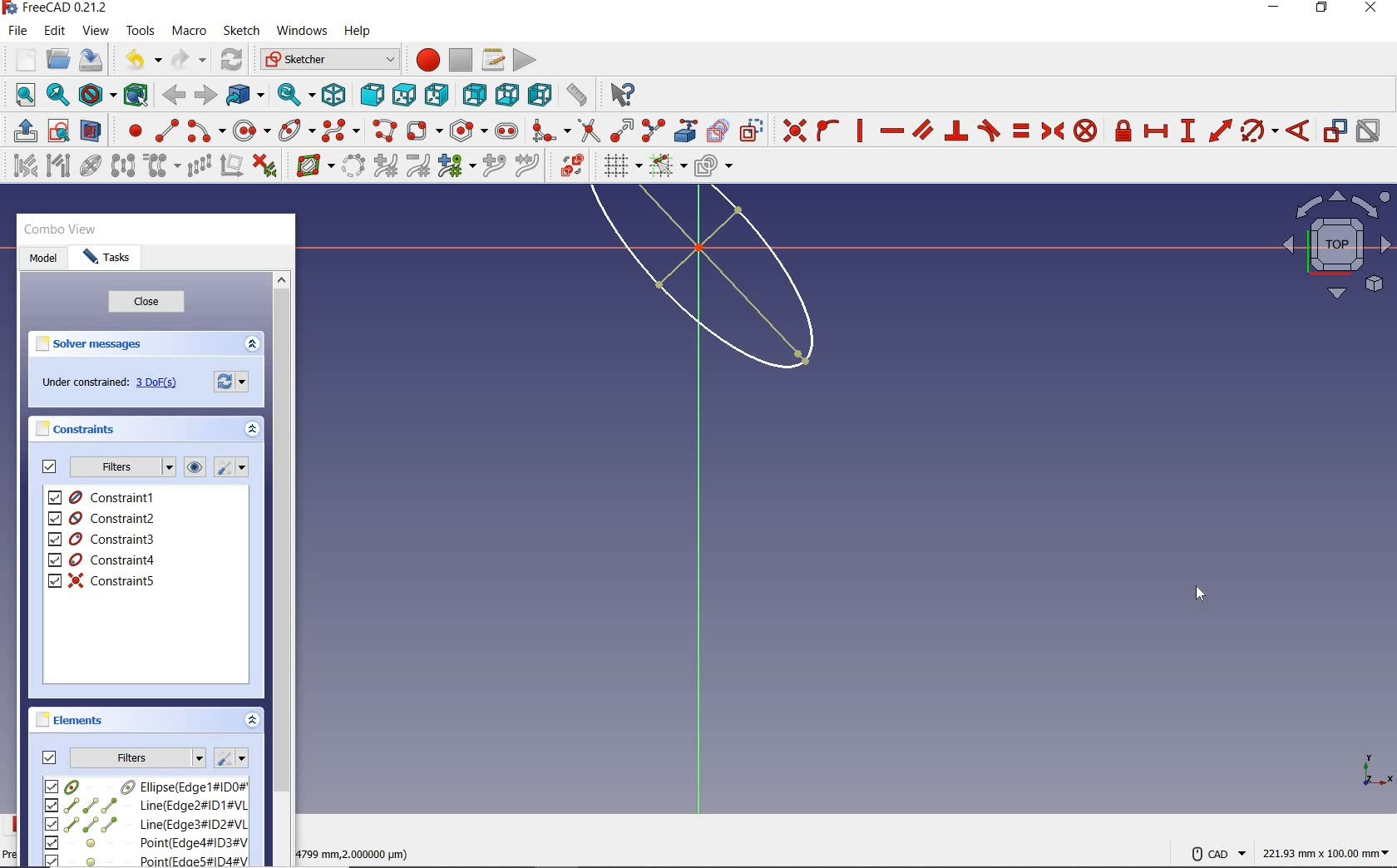 This screenshot has height=868, width=1397. I want to click on remove axes alignment, so click(230, 167).